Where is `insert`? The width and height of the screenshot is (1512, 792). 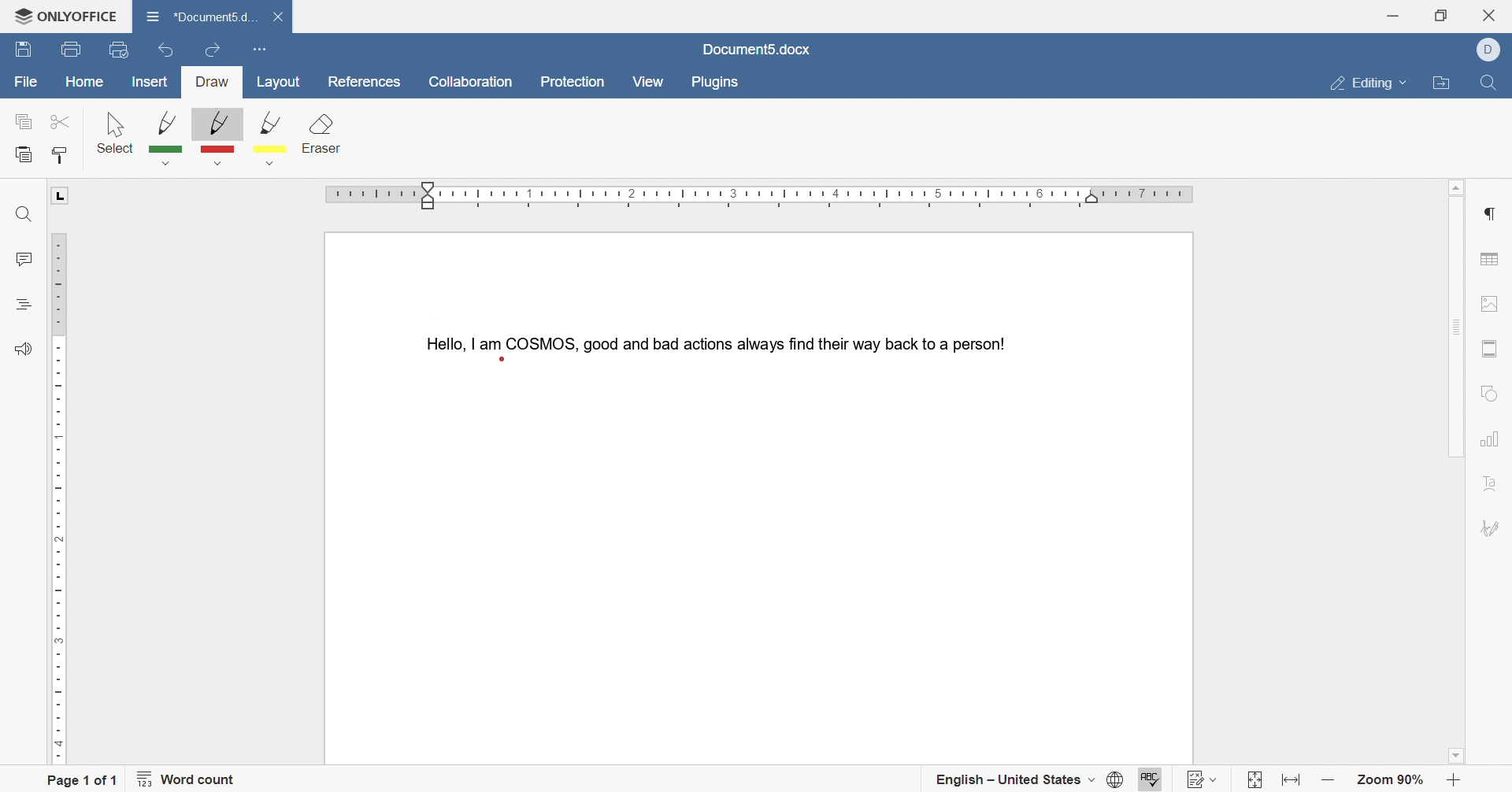
insert is located at coordinates (150, 83).